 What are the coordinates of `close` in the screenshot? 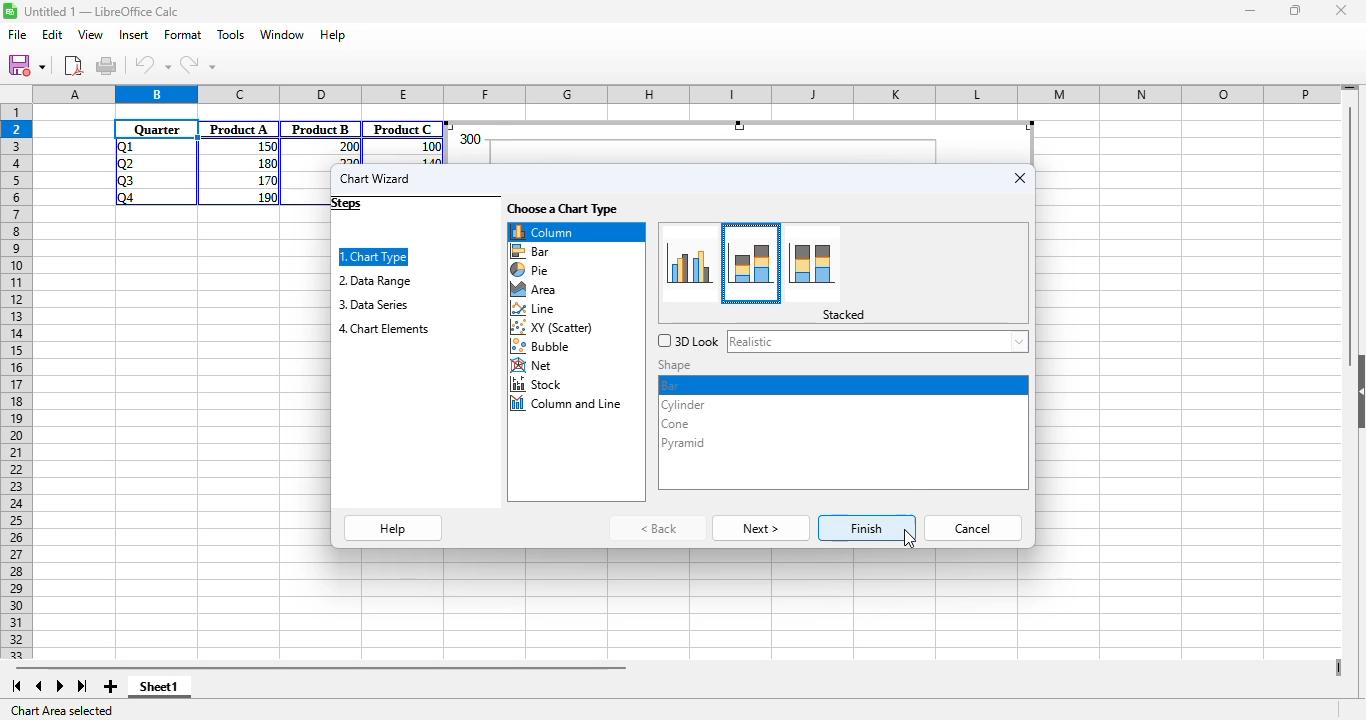 It's located at (1020, 178).